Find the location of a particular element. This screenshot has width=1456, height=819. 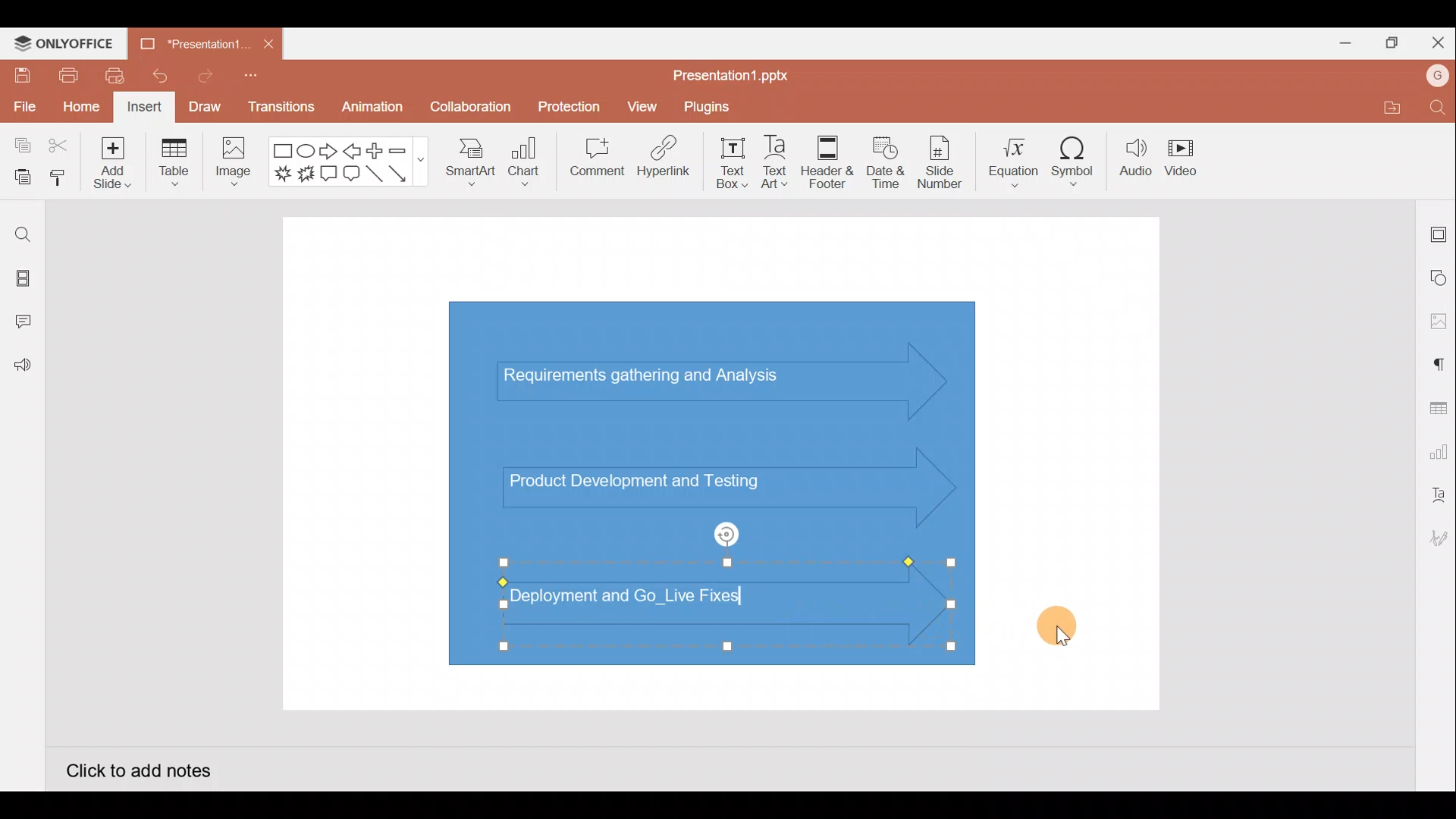

Paragraph settings is located at coordinates (1438, 362).